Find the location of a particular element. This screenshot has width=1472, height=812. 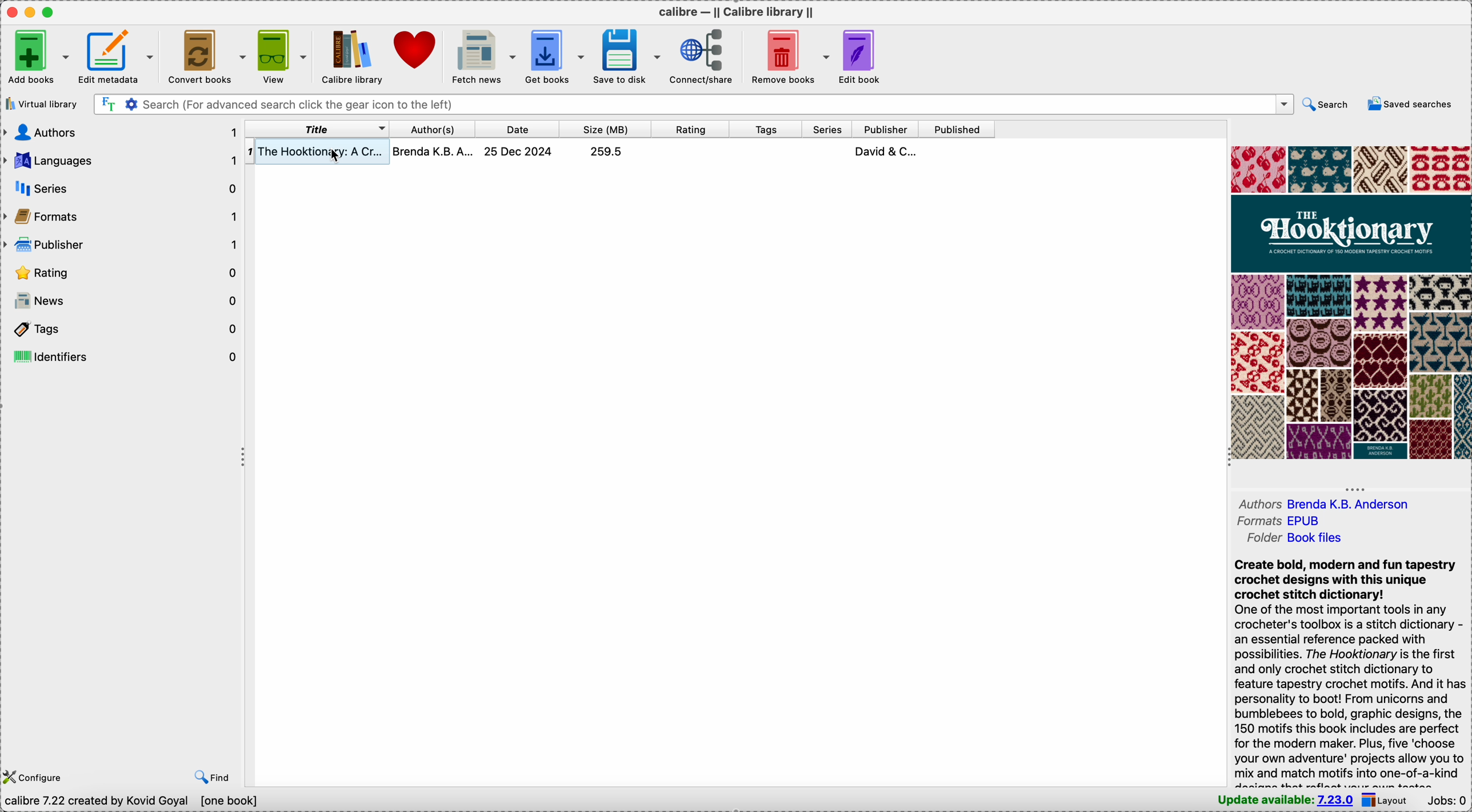

close Calibre is located at coordinates (12, 13).